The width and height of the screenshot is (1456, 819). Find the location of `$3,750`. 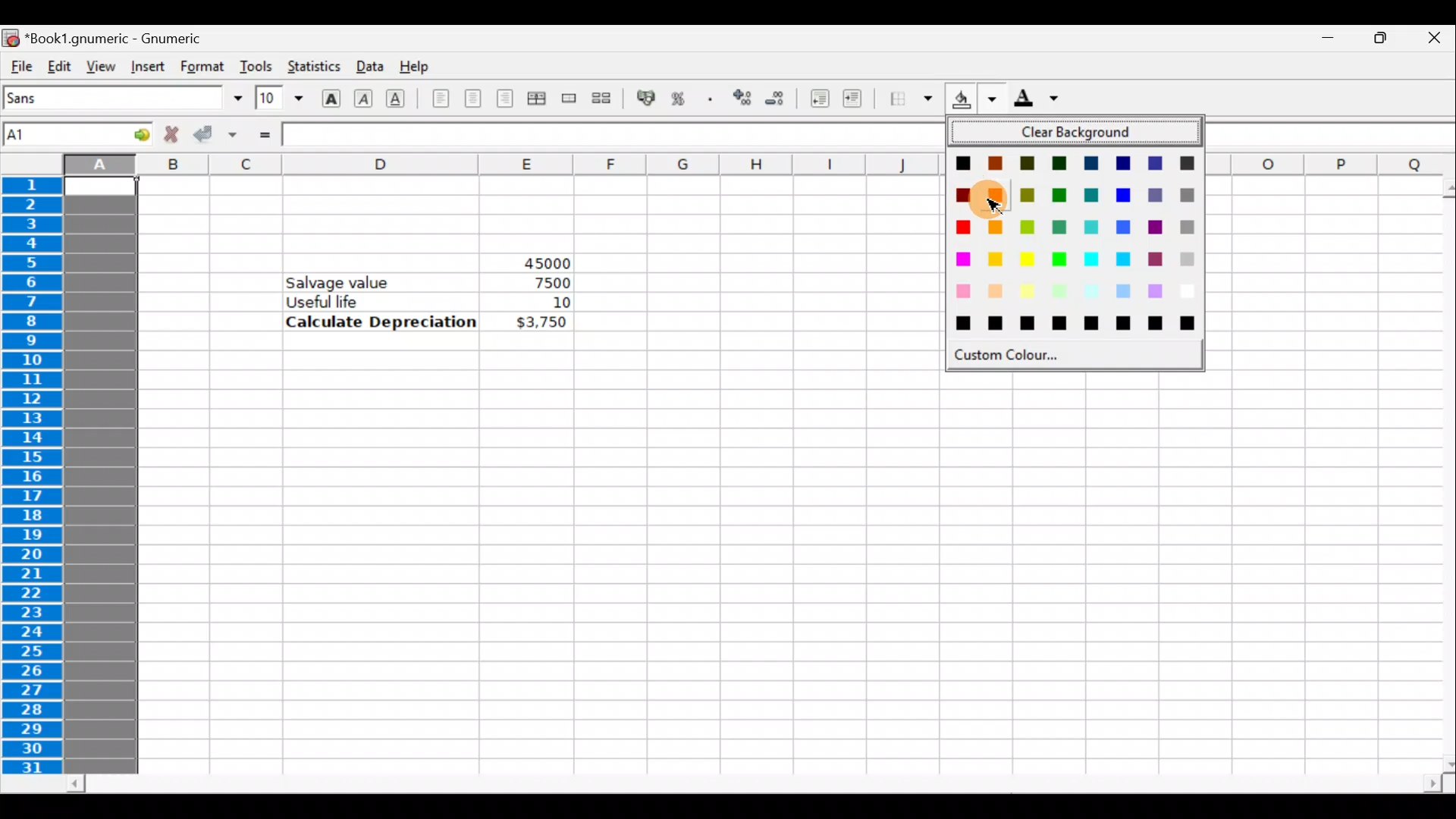

$3,750 is located at coordinates (540, 323).